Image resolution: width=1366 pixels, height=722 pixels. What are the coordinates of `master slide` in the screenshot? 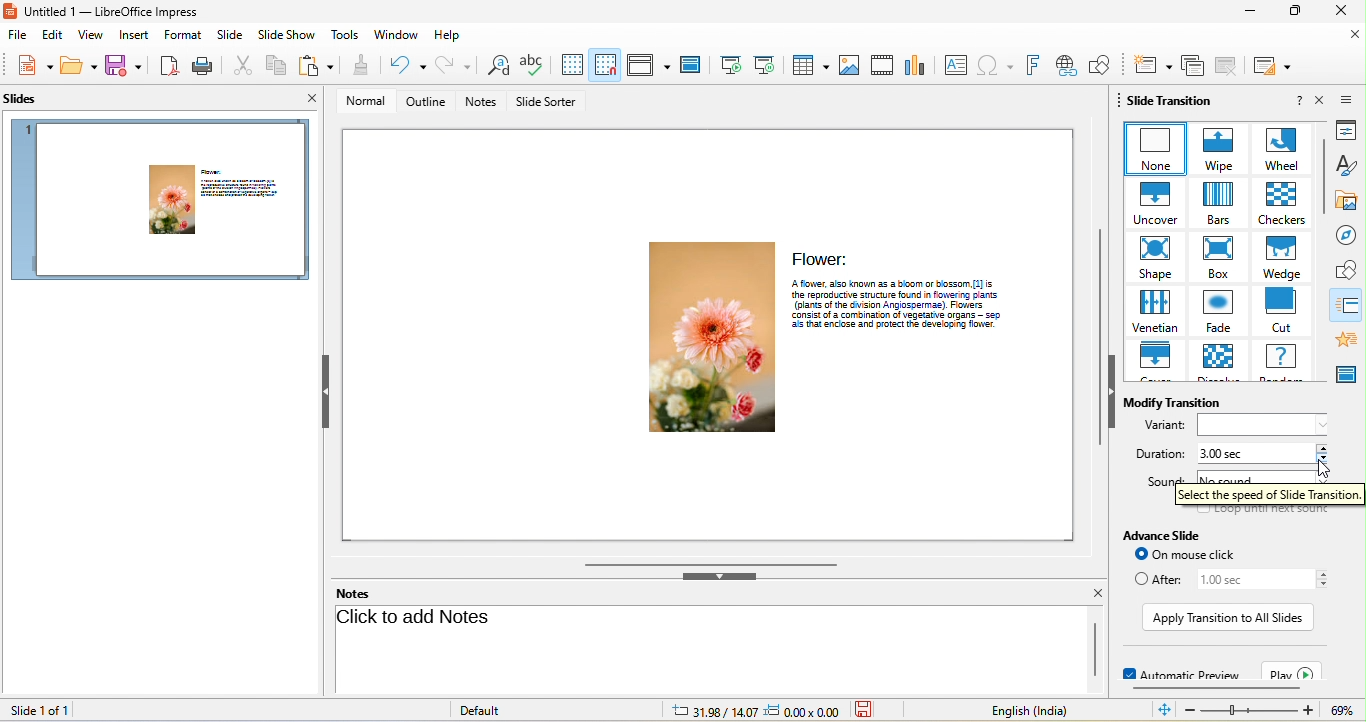 It's located at (1349, 375).